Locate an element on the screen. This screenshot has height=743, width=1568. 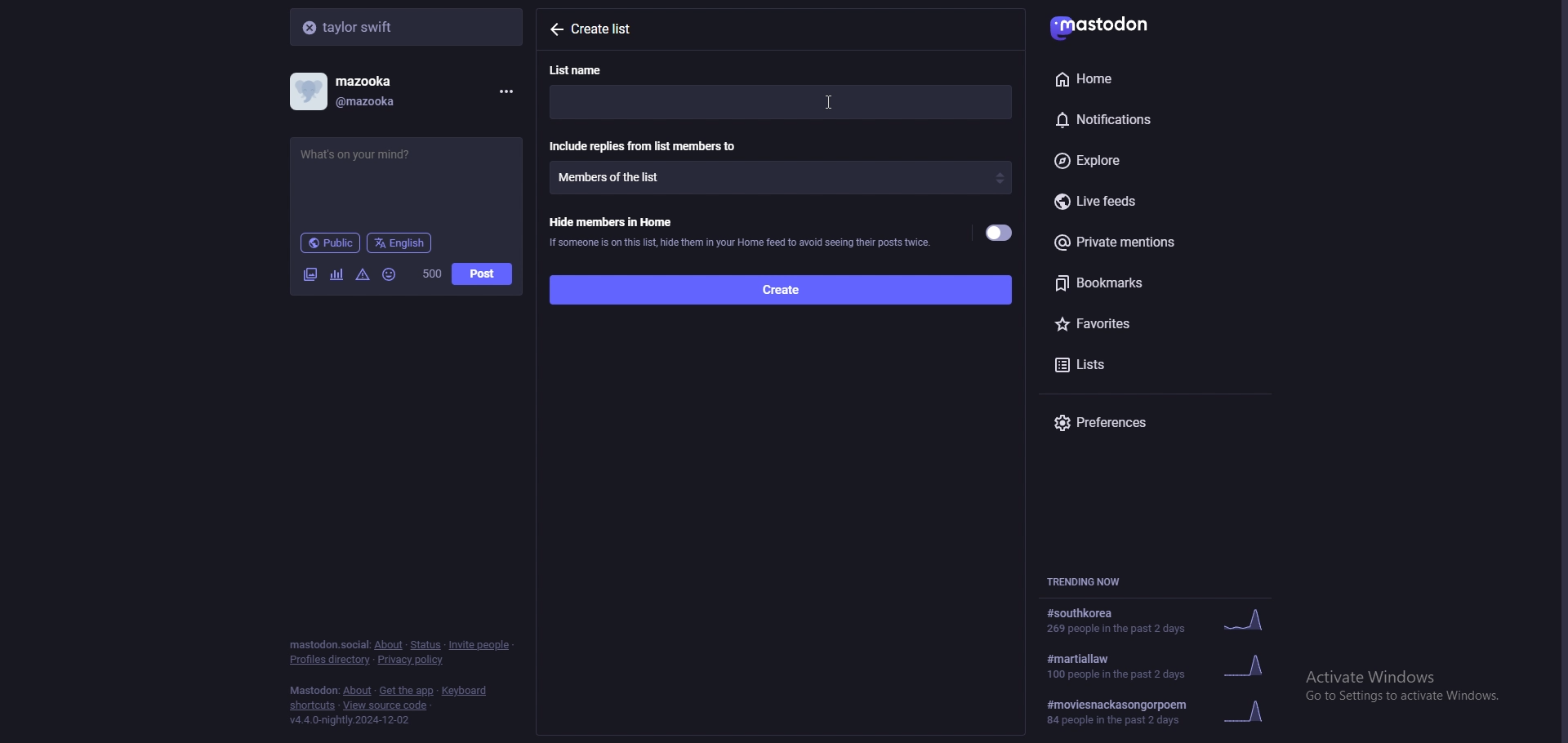
back is located at coordinates (555, 29).